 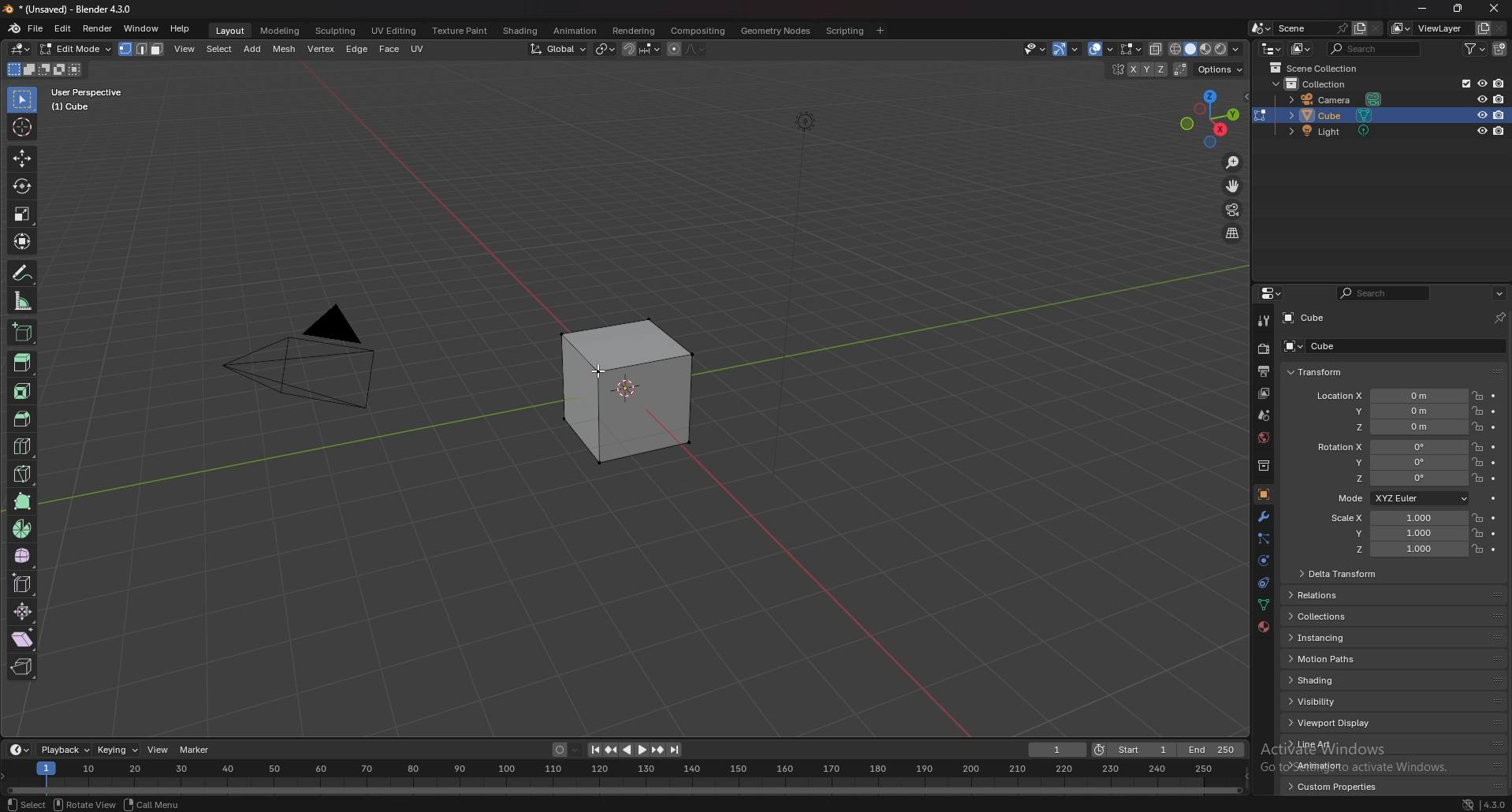 I want to click on zoom, so click(x=1234, y=163).